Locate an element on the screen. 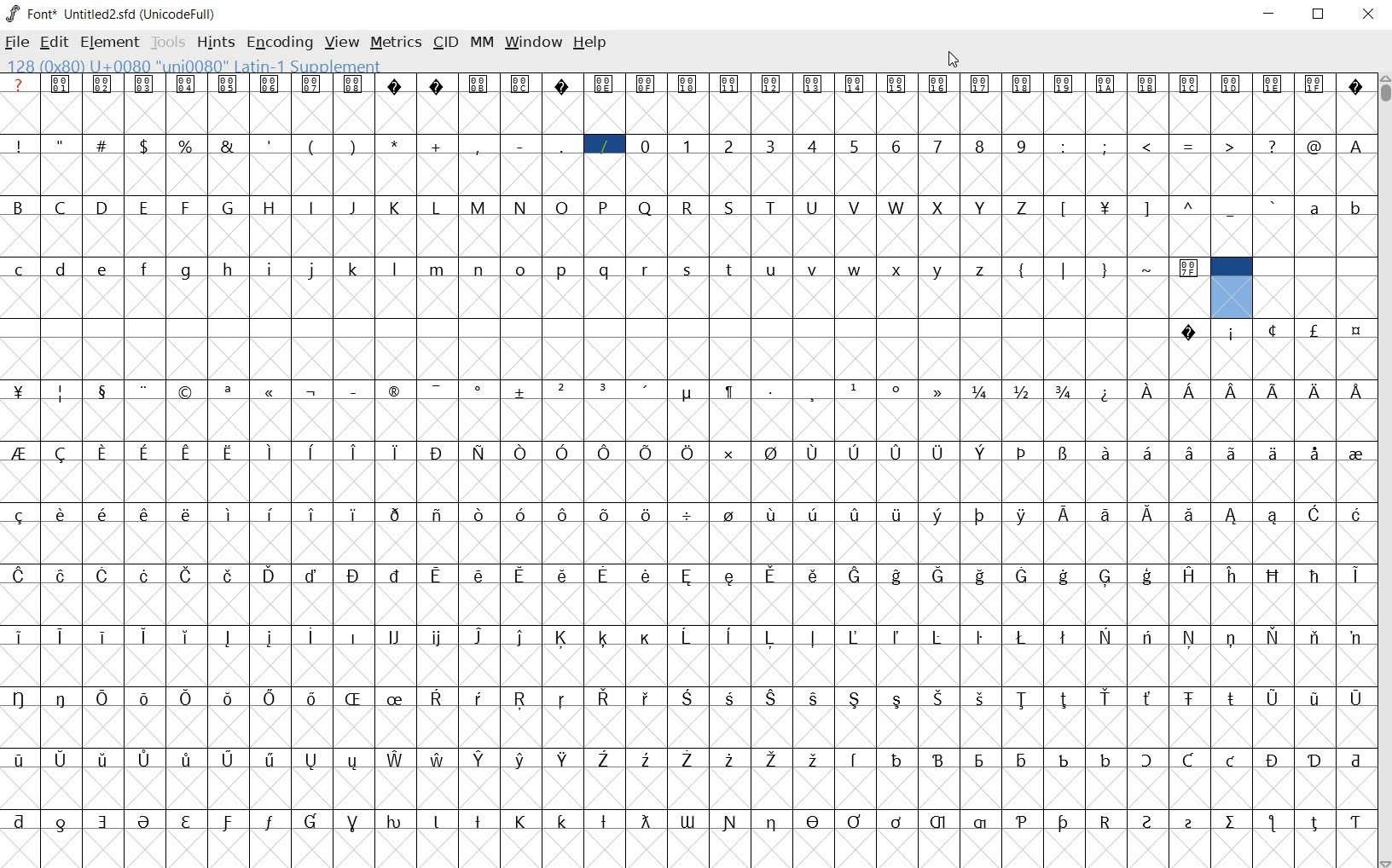 The width and height of the screenshot is (1392, 868). G is located at coordinates (230, 208).